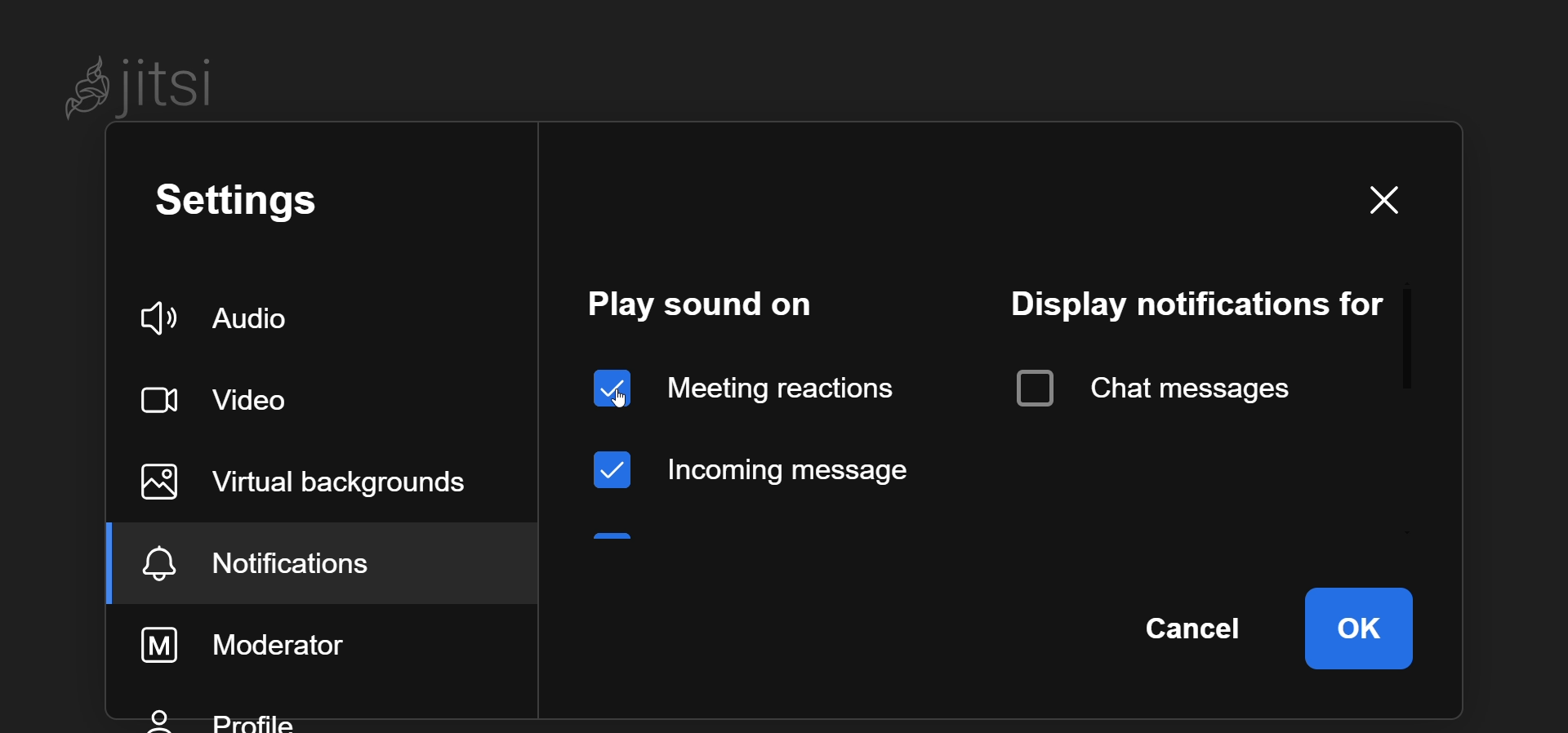 This screenshot has width=1568, height=733. What do you see at coordinates (249, 642) in the screenshot?
I see `moderator` at bounding box center [249, 642].